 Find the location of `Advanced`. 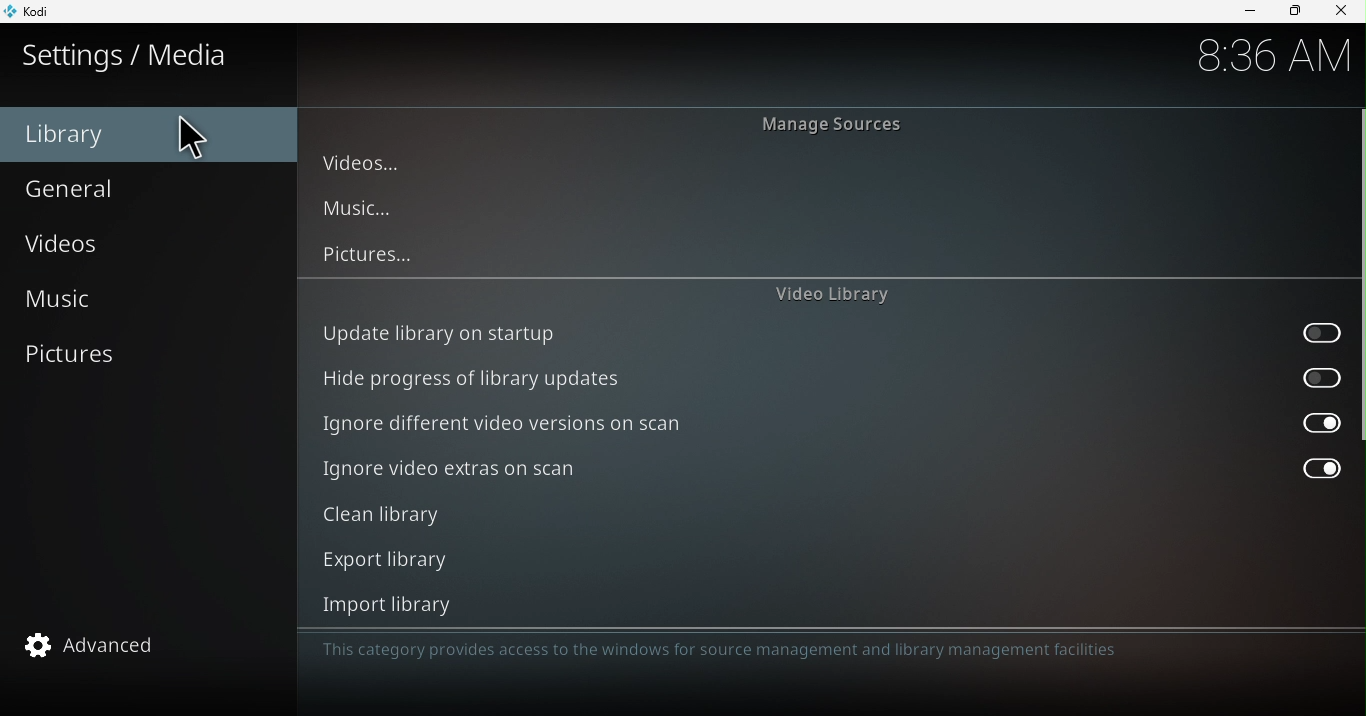

Advanced is located at coordinates (149, 644).